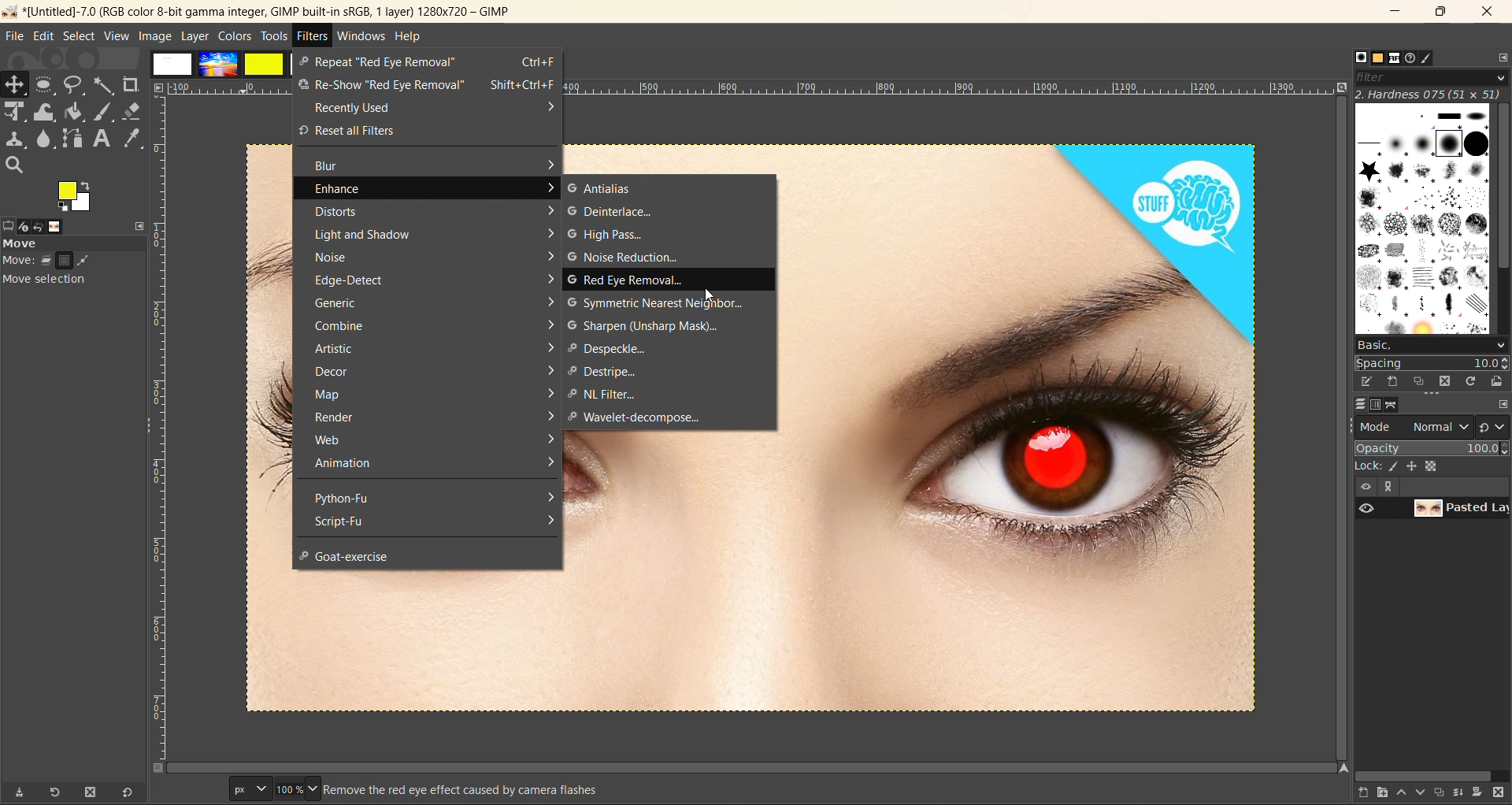 The width and height of the screenshot is (1512, 805). I want to click on free select tool, so click(75, 86).